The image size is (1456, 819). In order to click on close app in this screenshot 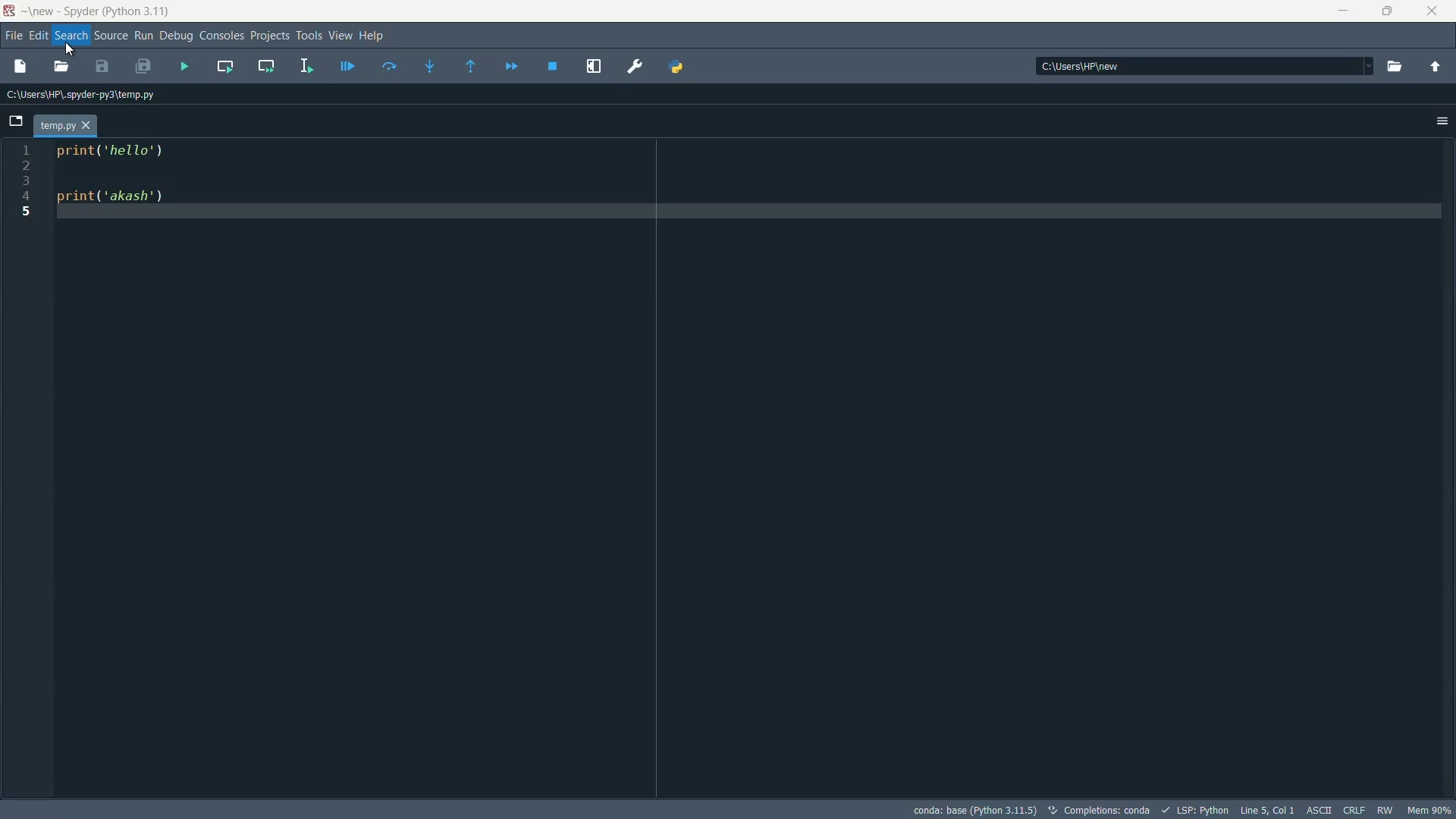, I will do `click(1435, 11)`.